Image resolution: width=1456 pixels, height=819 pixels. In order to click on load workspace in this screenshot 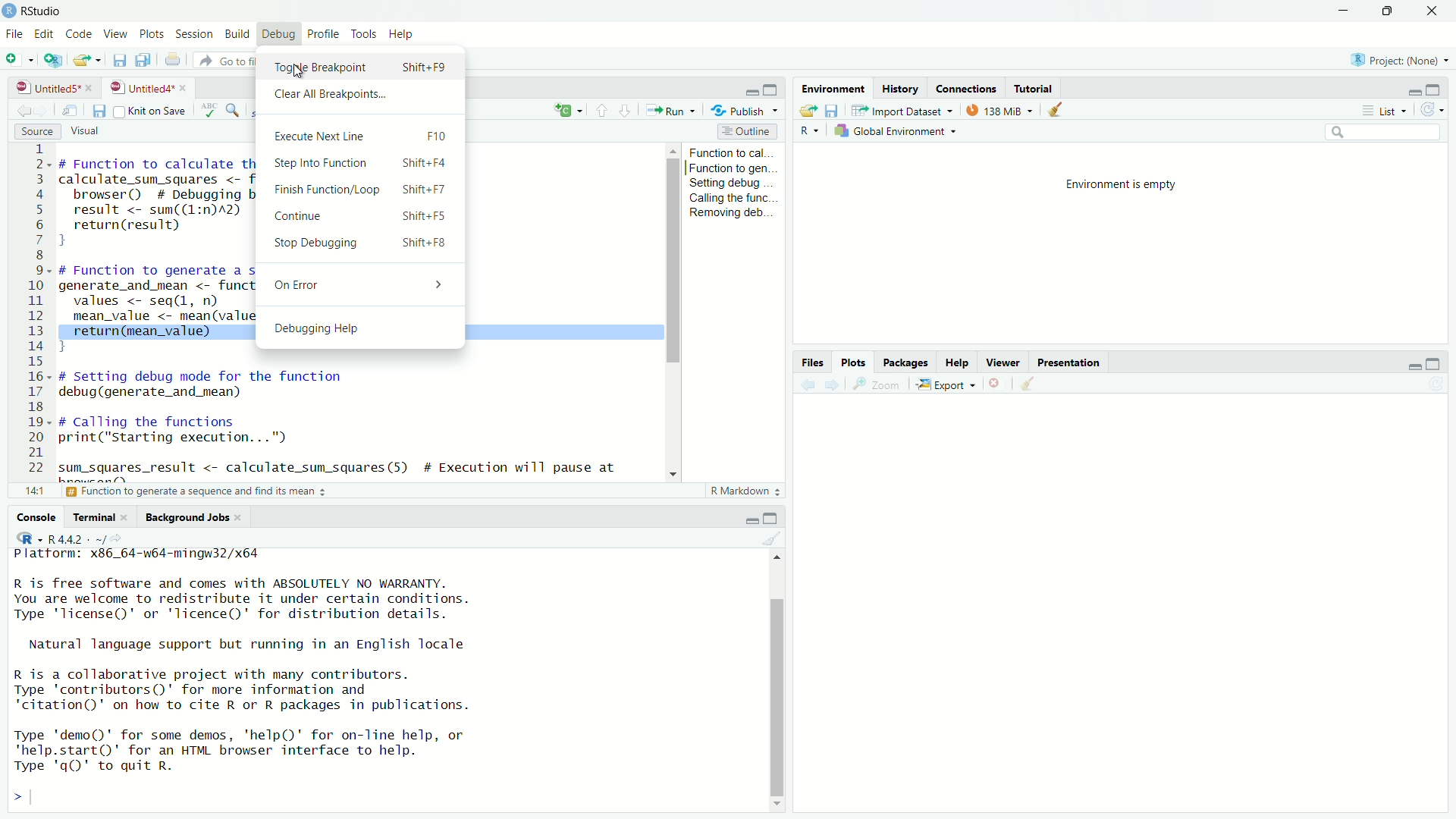, I will do `click(808, 110)`.